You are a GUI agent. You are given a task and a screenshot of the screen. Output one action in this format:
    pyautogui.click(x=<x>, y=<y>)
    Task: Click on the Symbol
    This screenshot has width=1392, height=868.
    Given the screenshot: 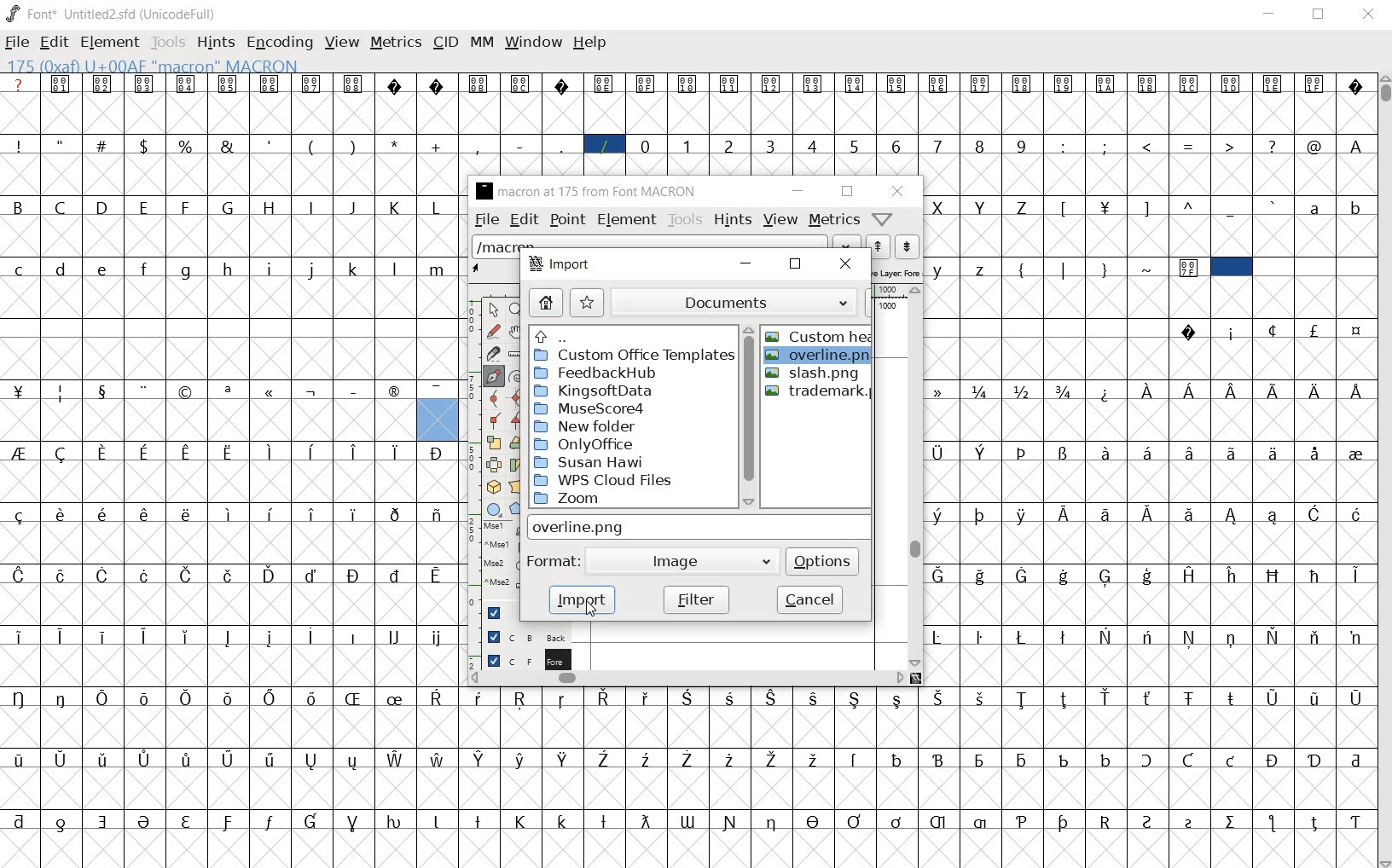 What is the action you would take?
    pyautogui.click(x=230, y=757)
    